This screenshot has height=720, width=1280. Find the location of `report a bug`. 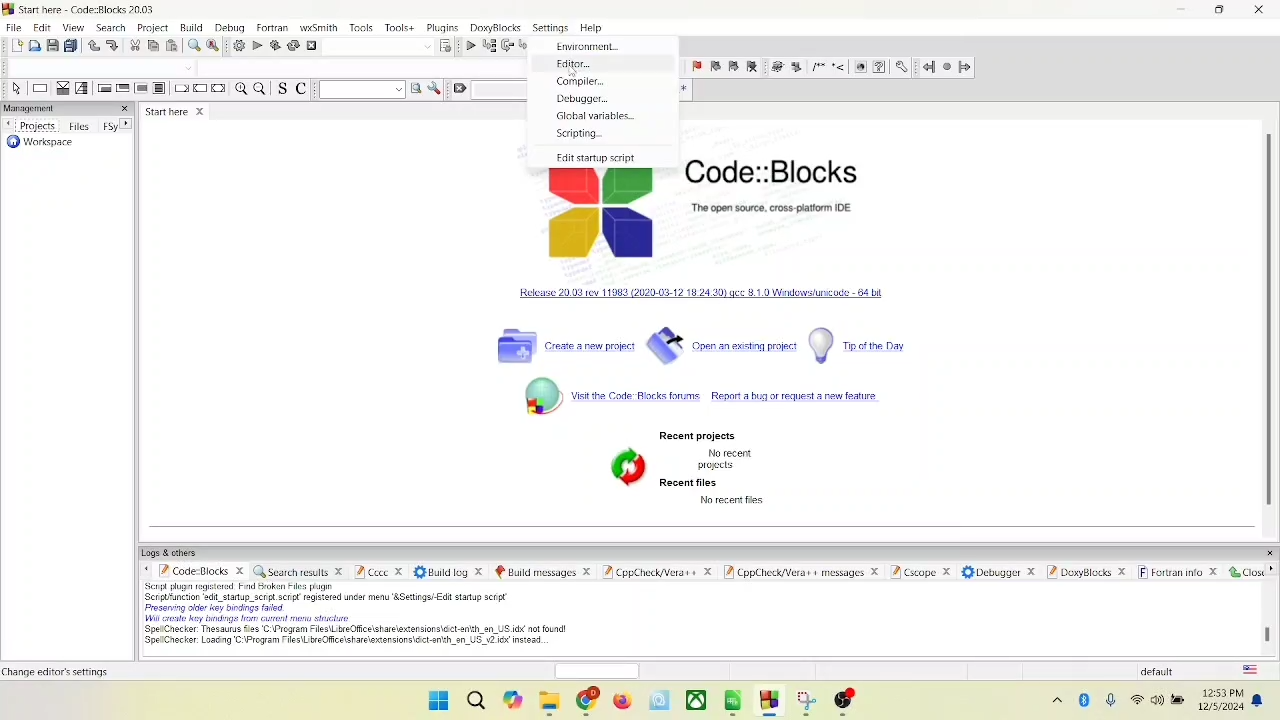

report a bug is located at coordinates (745, 398).